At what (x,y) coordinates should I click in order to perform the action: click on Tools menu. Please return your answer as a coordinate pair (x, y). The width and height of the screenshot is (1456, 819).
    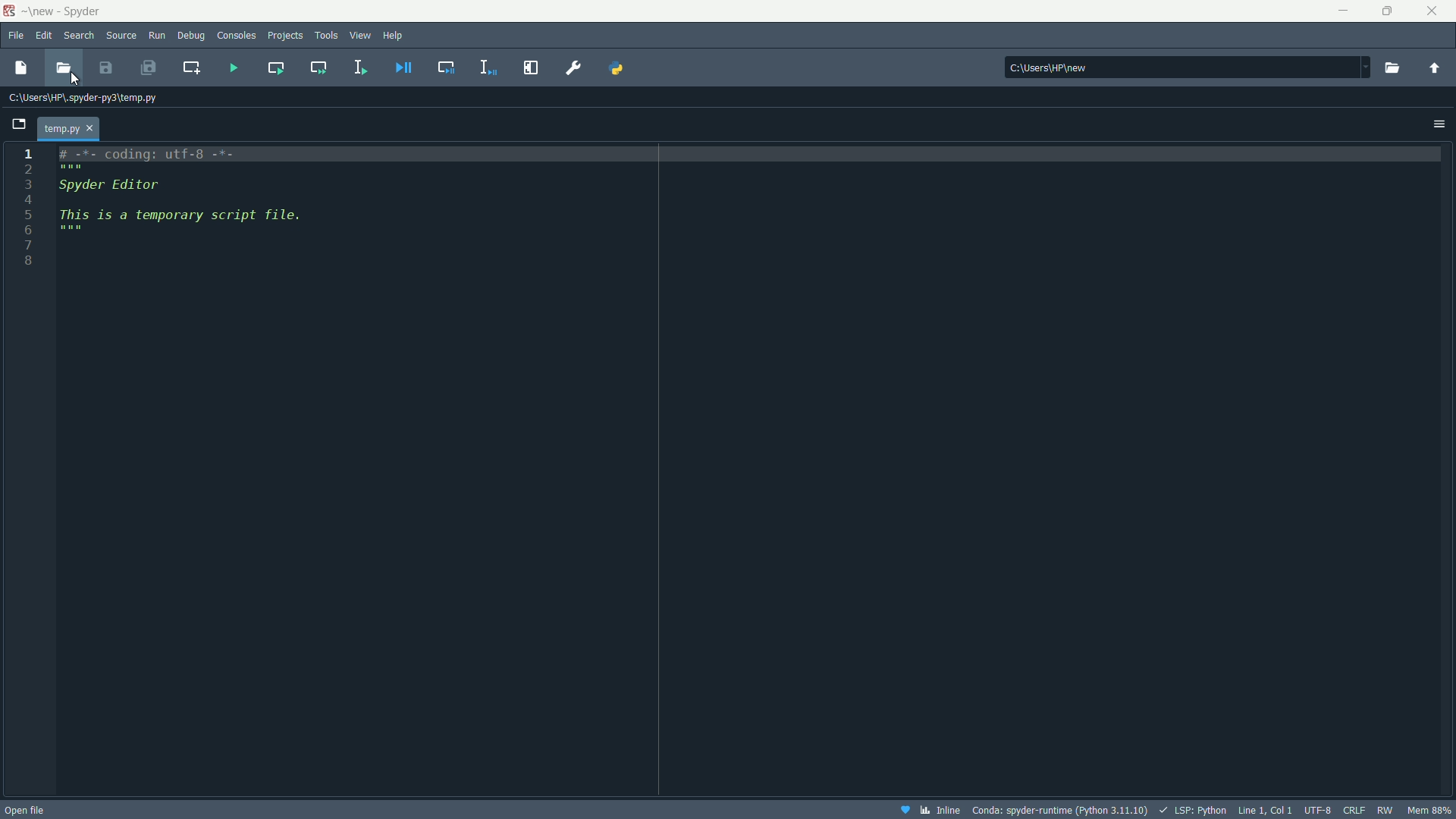
    Looking at the image, I should click on (327, 36).